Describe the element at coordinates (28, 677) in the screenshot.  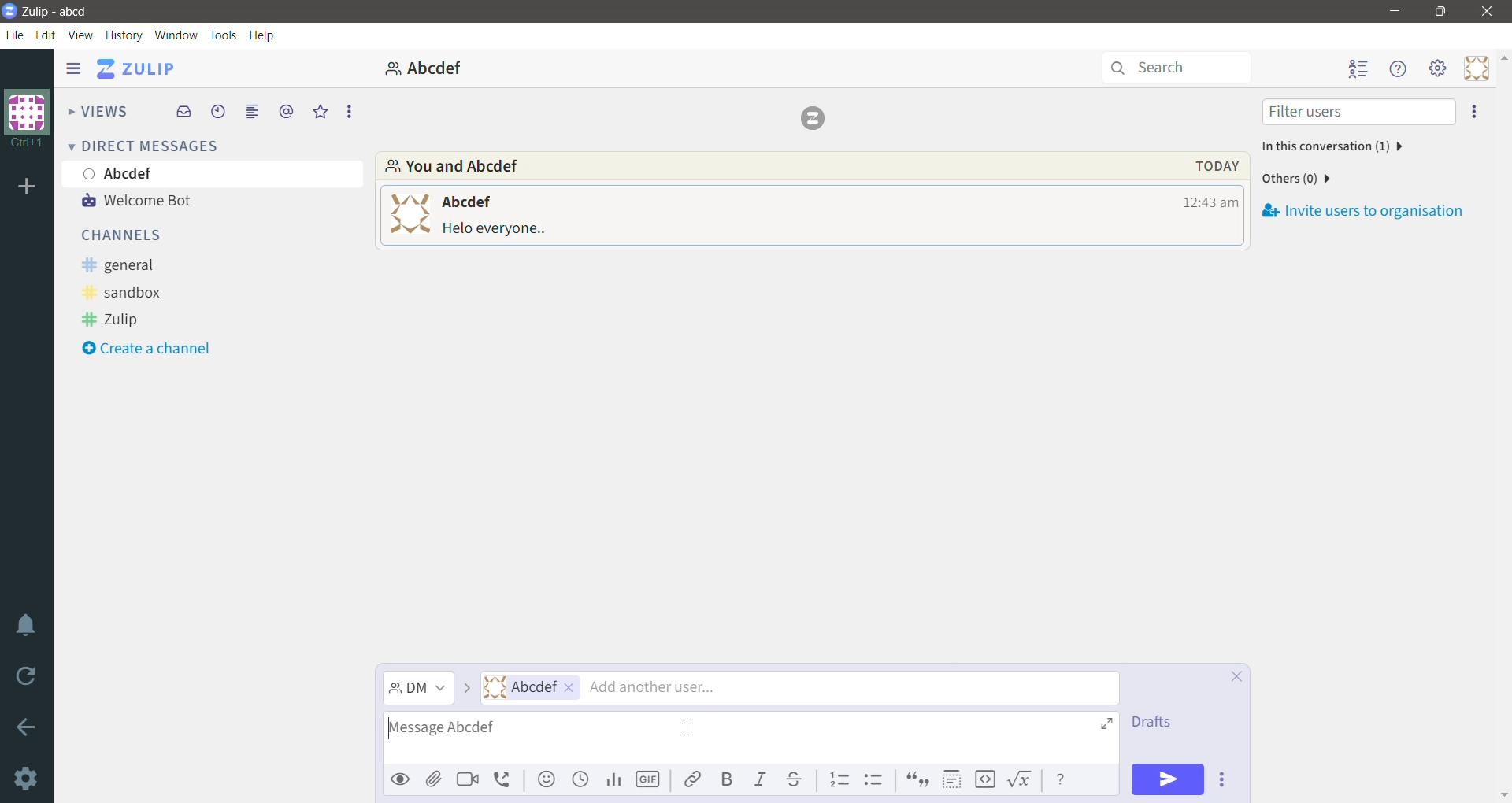
I see `Reload` at that location.